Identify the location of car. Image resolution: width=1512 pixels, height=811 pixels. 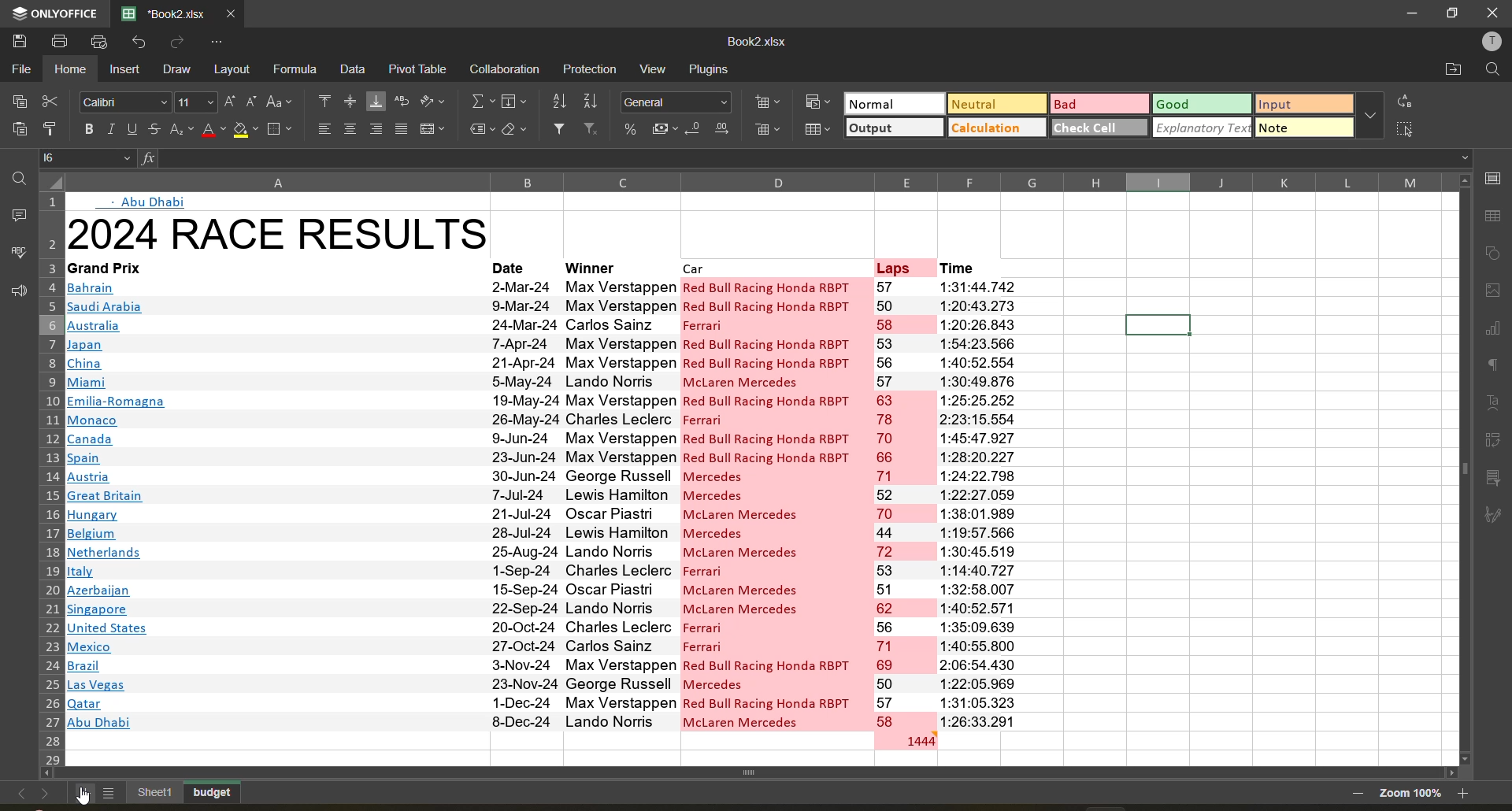
(773, 504).